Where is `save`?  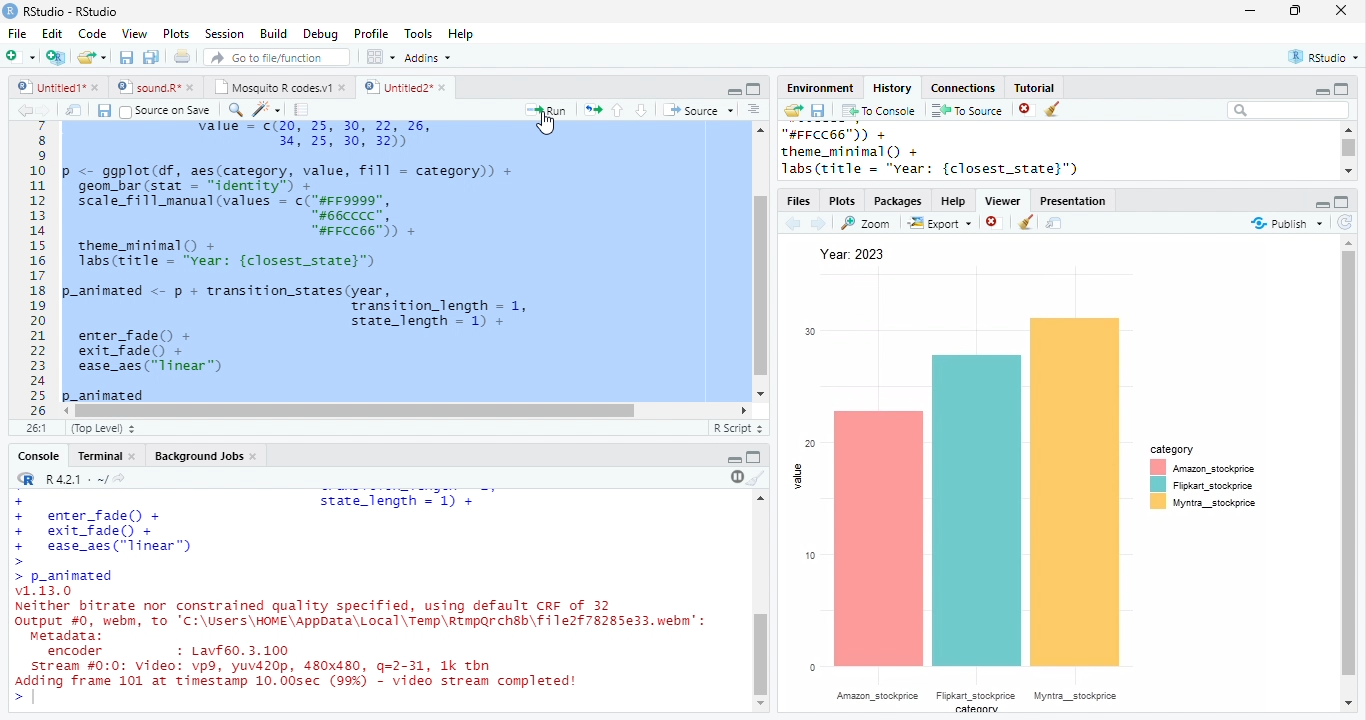 save is located at coordinates (818, 110).